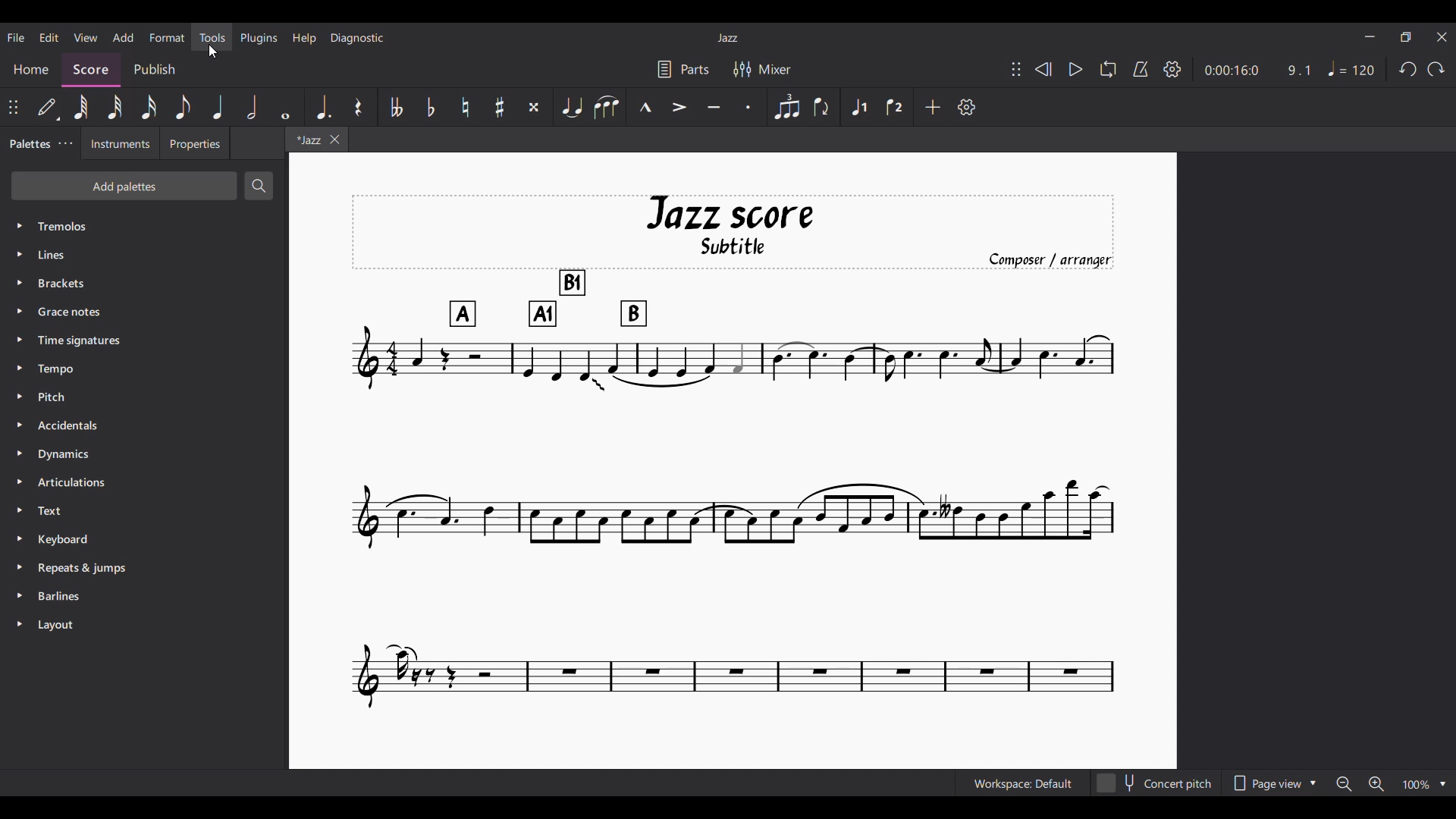 The height and width of the screenshot is (819, 1456). Describe the element at coordinates (1442, 36) in the screenshot. I see `Close interface` at that location.